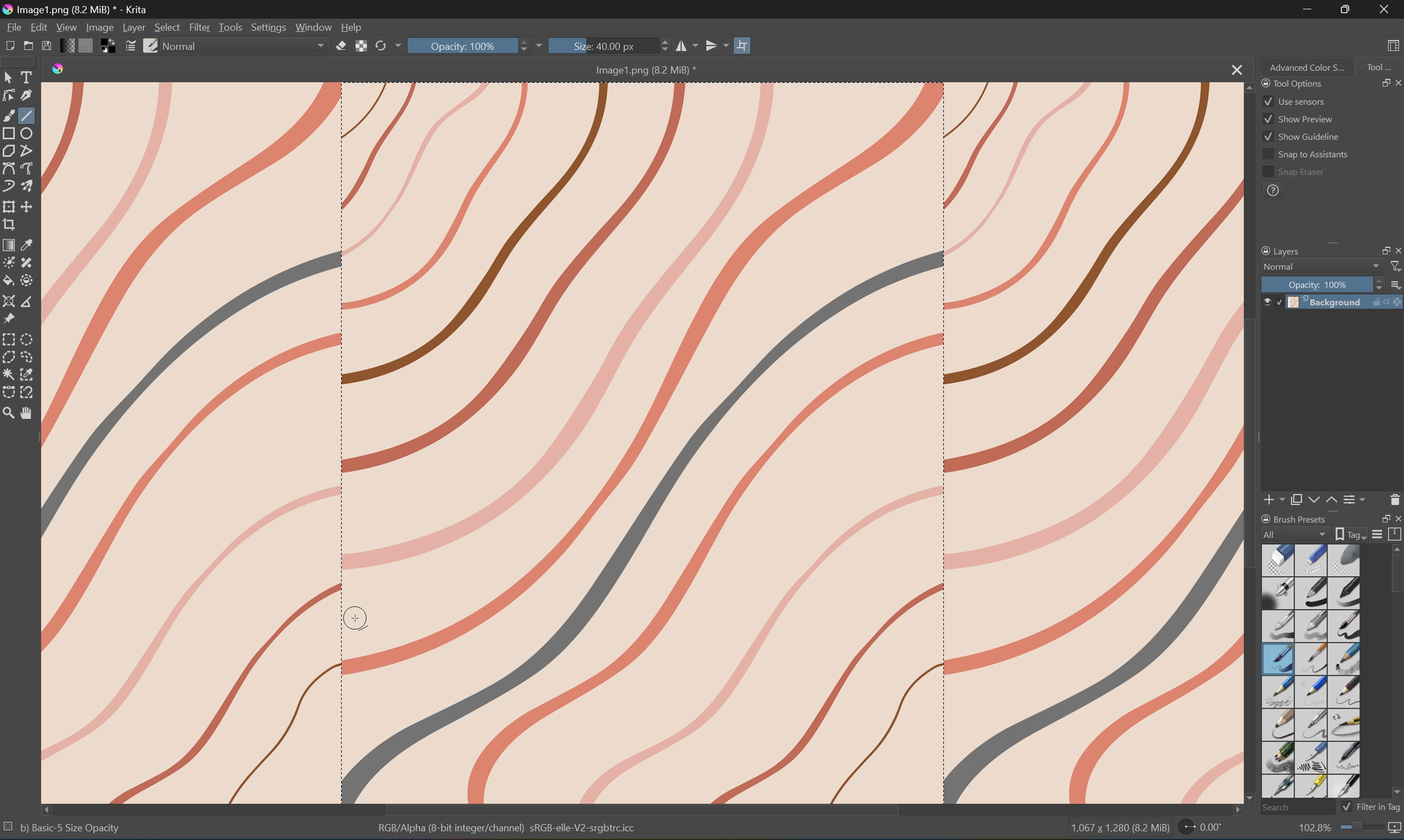 The height and width of the screenshot is (840, 1404). I want to click on Contiguous selection tool, so click(9, 374).